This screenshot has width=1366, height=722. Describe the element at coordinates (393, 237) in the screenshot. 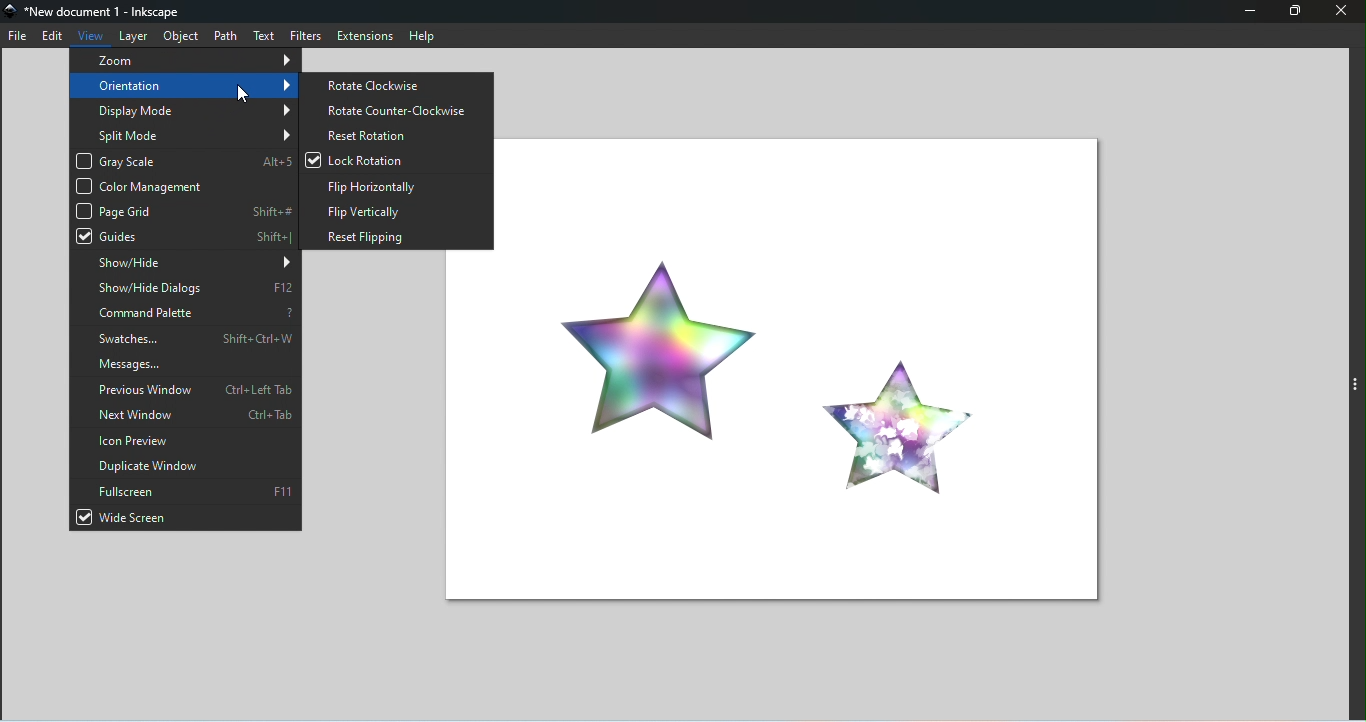

I see `Reset flipping` at that location.